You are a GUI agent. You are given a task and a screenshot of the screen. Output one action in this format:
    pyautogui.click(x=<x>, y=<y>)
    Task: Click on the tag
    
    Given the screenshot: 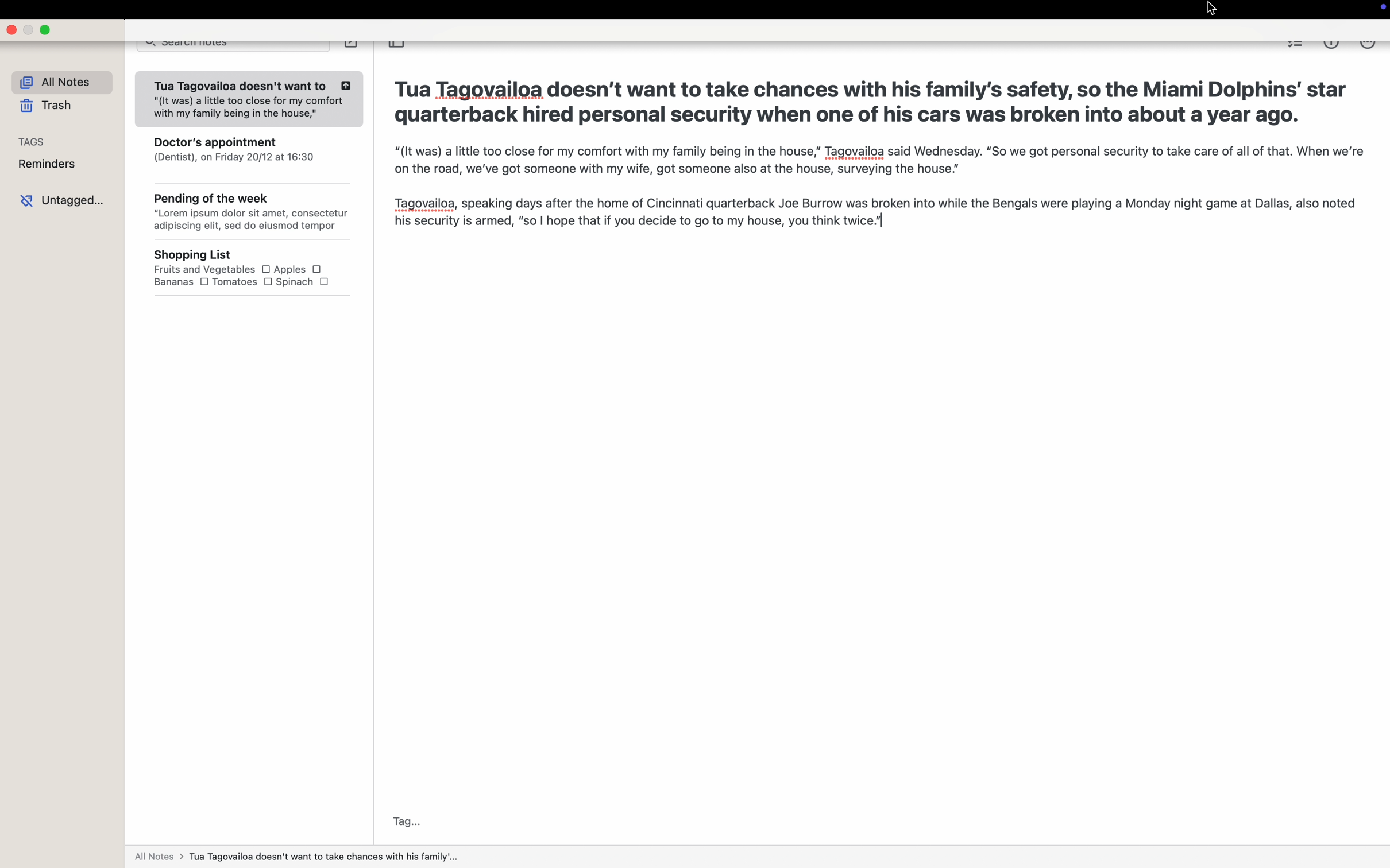 What is the action you would take?
    pyautogui.click(x=411, y=821)
    